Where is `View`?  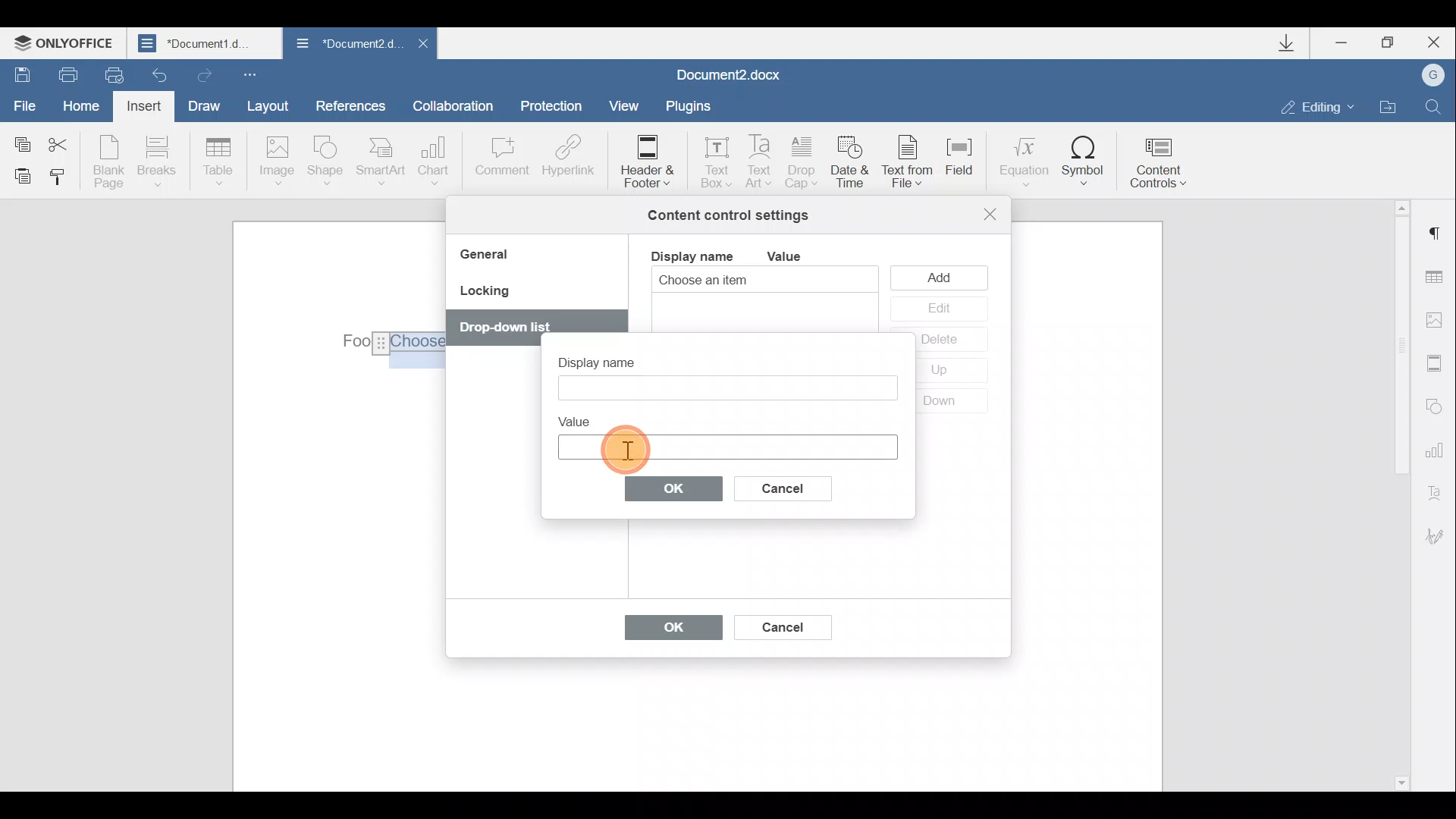
View is located at coordinates (625, 105).